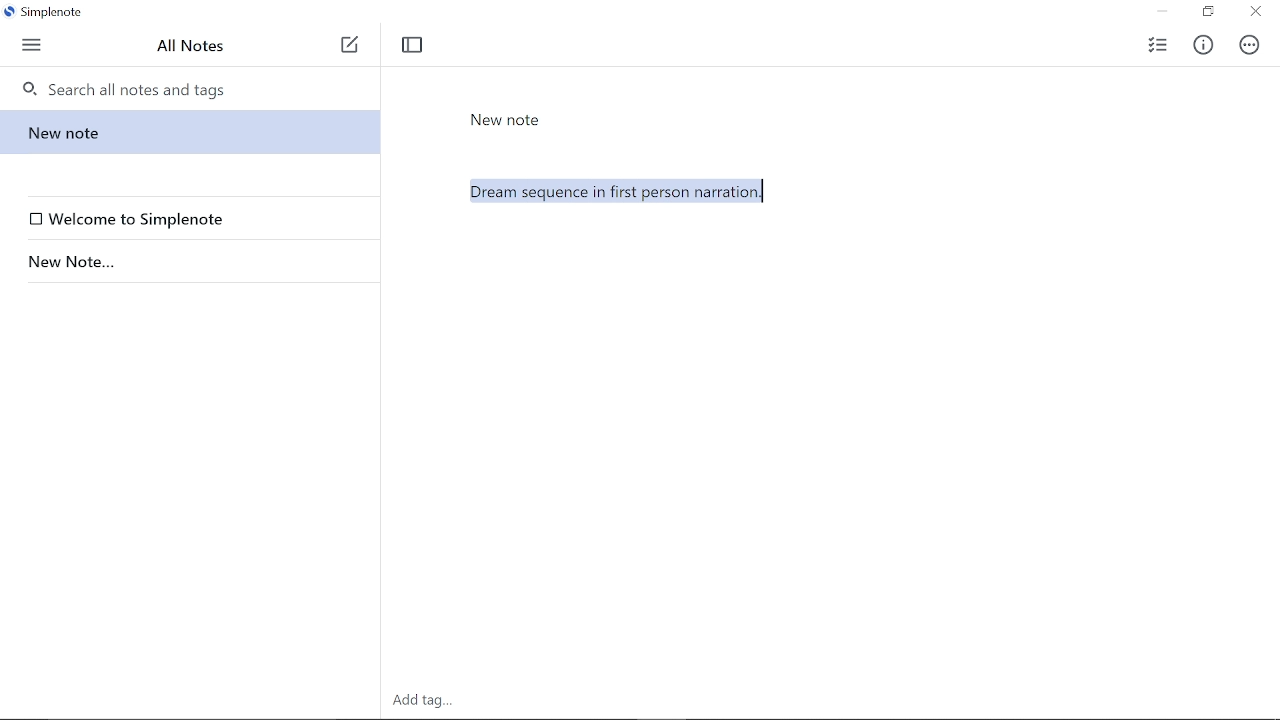  I want to click on Welcome to Simplenote, so click(194, 219).